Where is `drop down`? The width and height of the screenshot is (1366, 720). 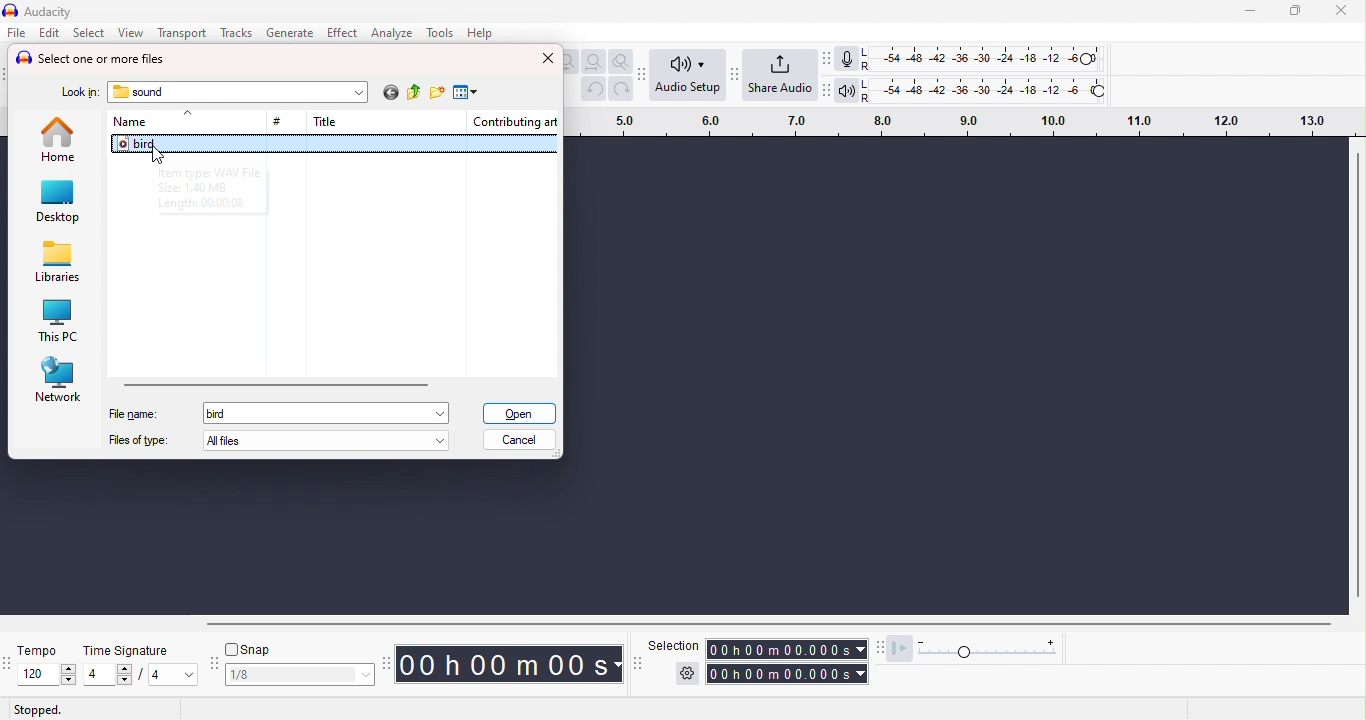
drop down is located at coordinates (358, 92).